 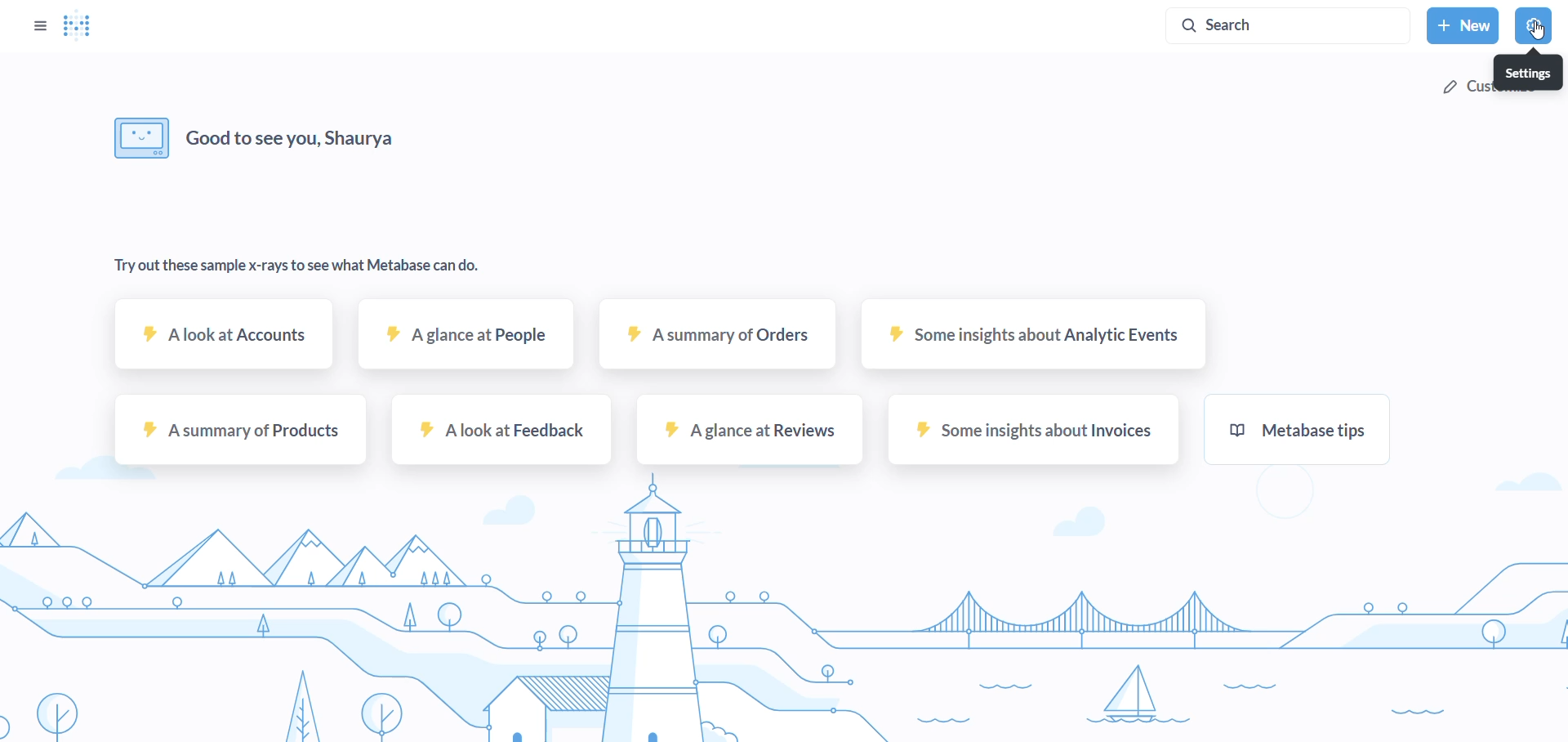 What do you see at coordinates (752, 435) in the screenshot?
I see `A glance at reviews sample` at bounding box center [752, 435].